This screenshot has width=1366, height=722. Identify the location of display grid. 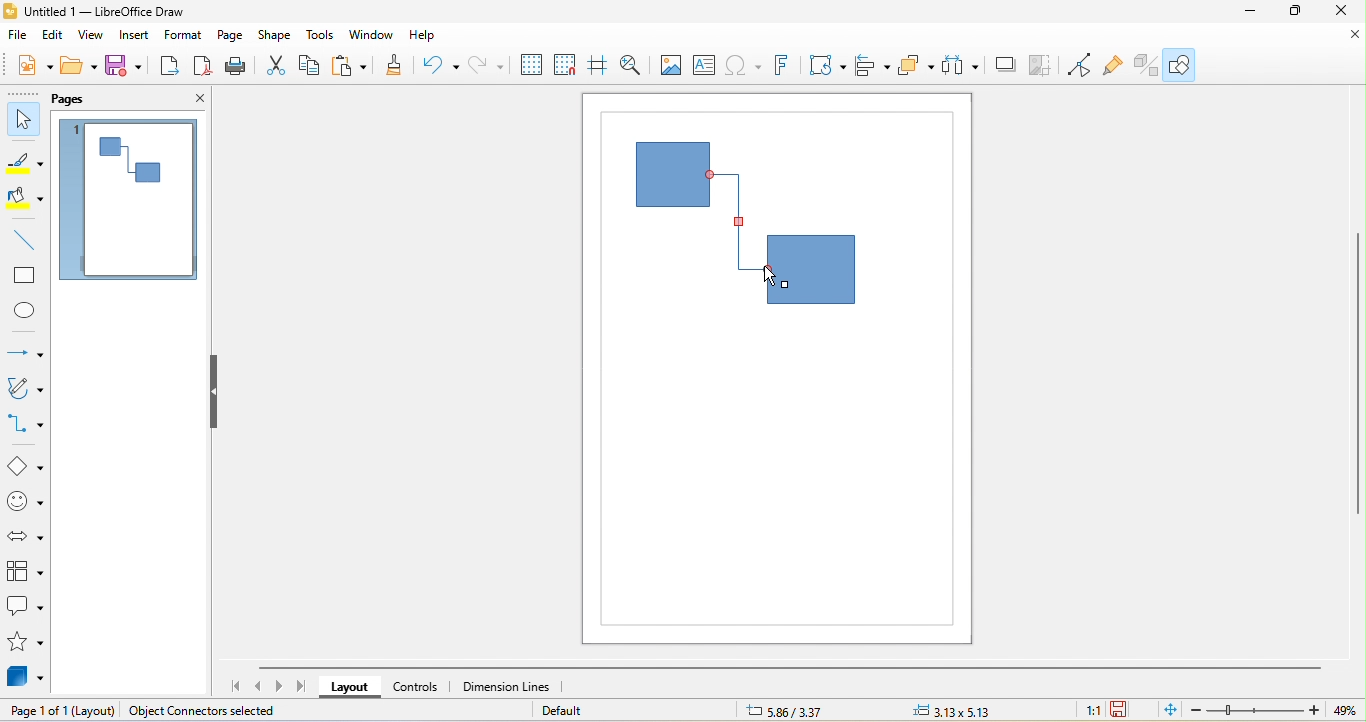
(531, 65).